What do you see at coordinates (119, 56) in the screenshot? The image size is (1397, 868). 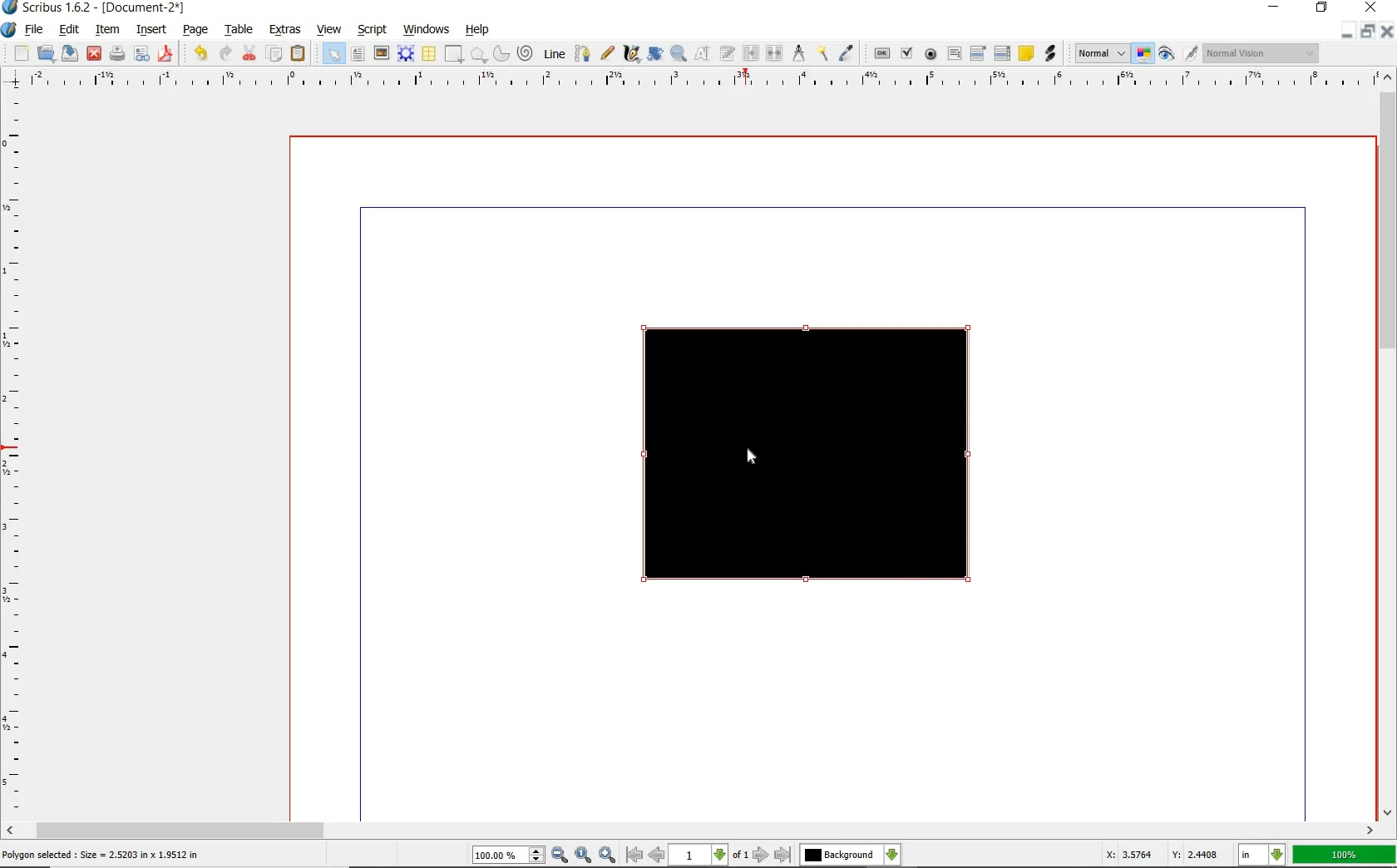 I see `print` at bounding box center [119, 56].